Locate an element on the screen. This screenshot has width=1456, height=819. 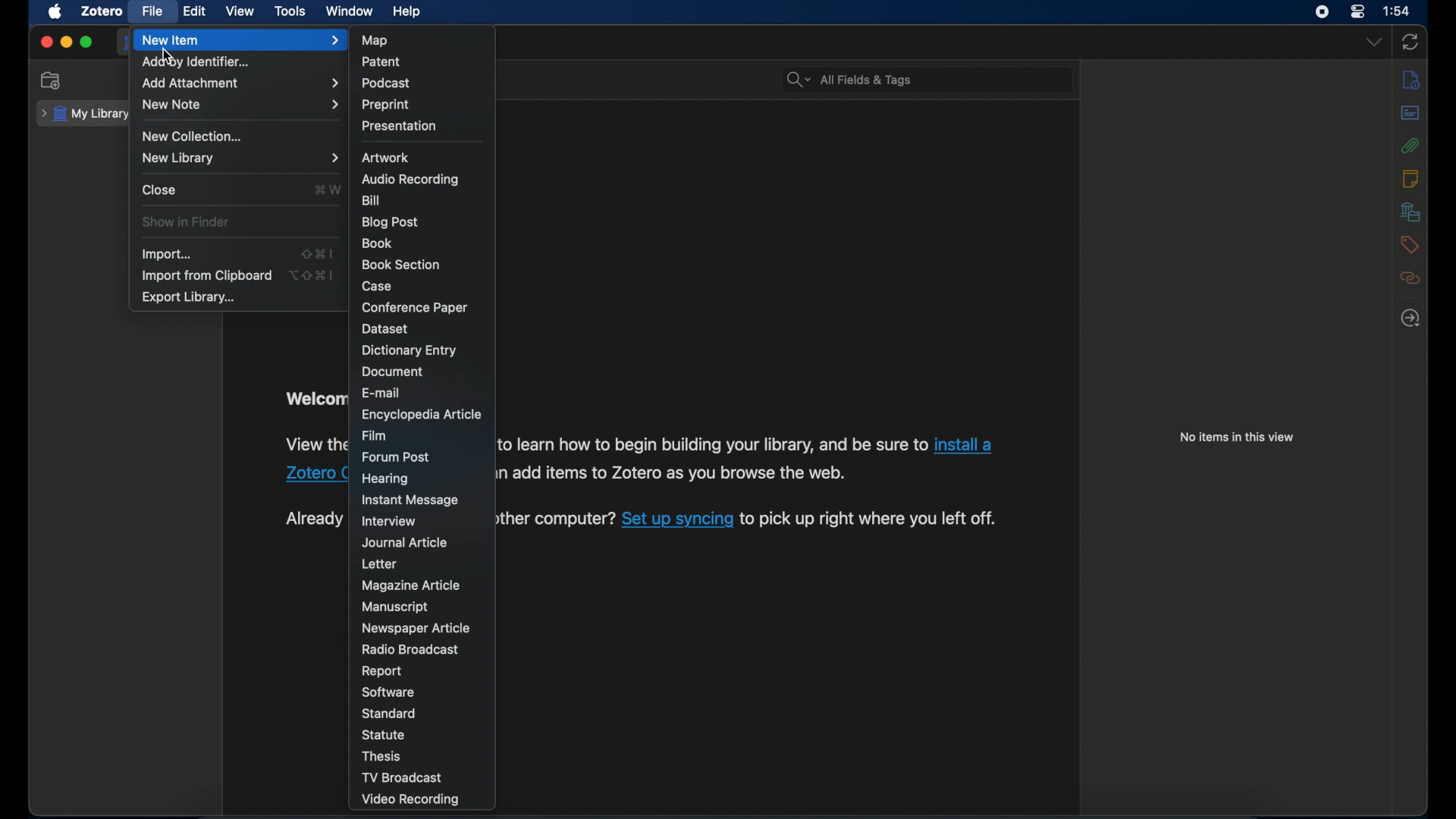
add items to Zotero as you browse the web. is located at coordinates (679, 473).